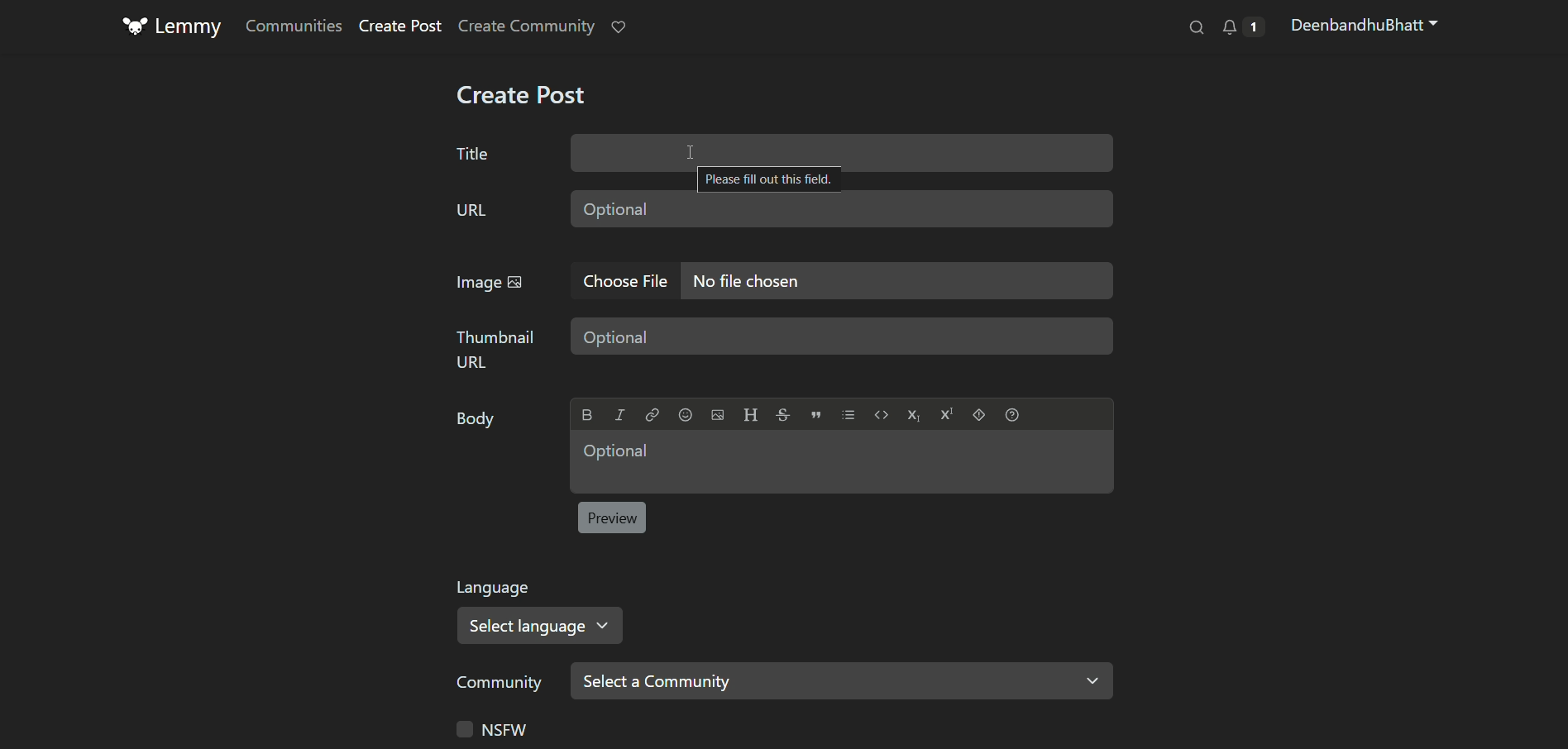 This screenshot has width=1568, height=749. Describe the element at coordinates (586, 415) in the screenshot. I see `Bold` at that location.